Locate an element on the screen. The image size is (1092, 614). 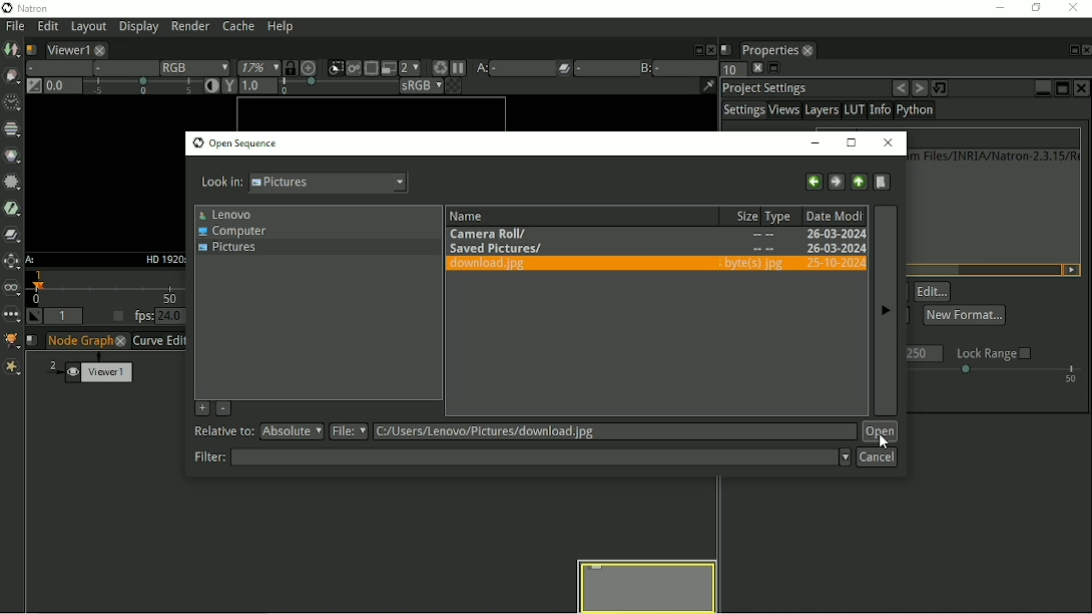
Keyer is located at coordinates (12, 207).